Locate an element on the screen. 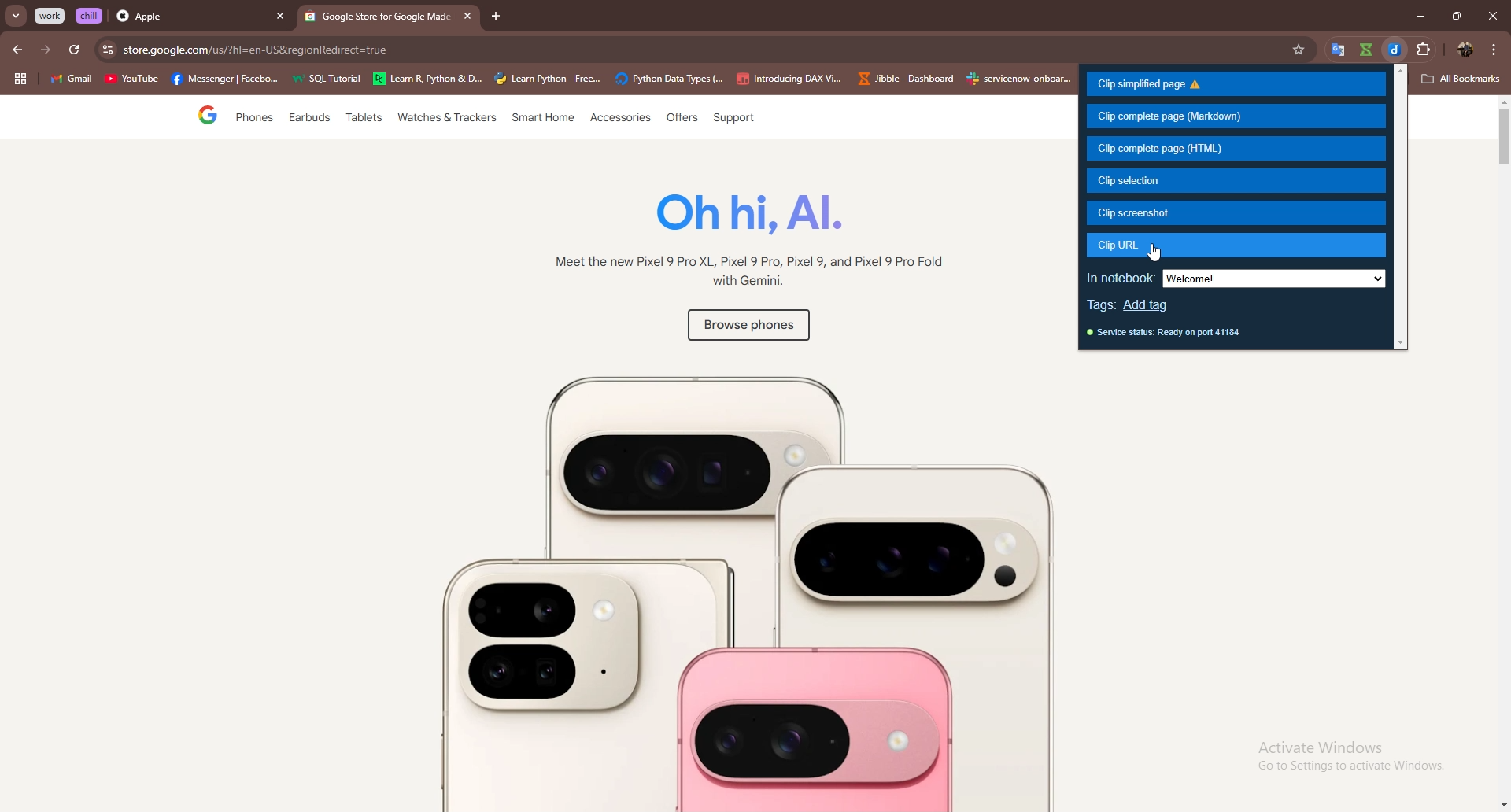 The image size is (1511, 812). All Bookmarks is located at coordinates (1462, 79).